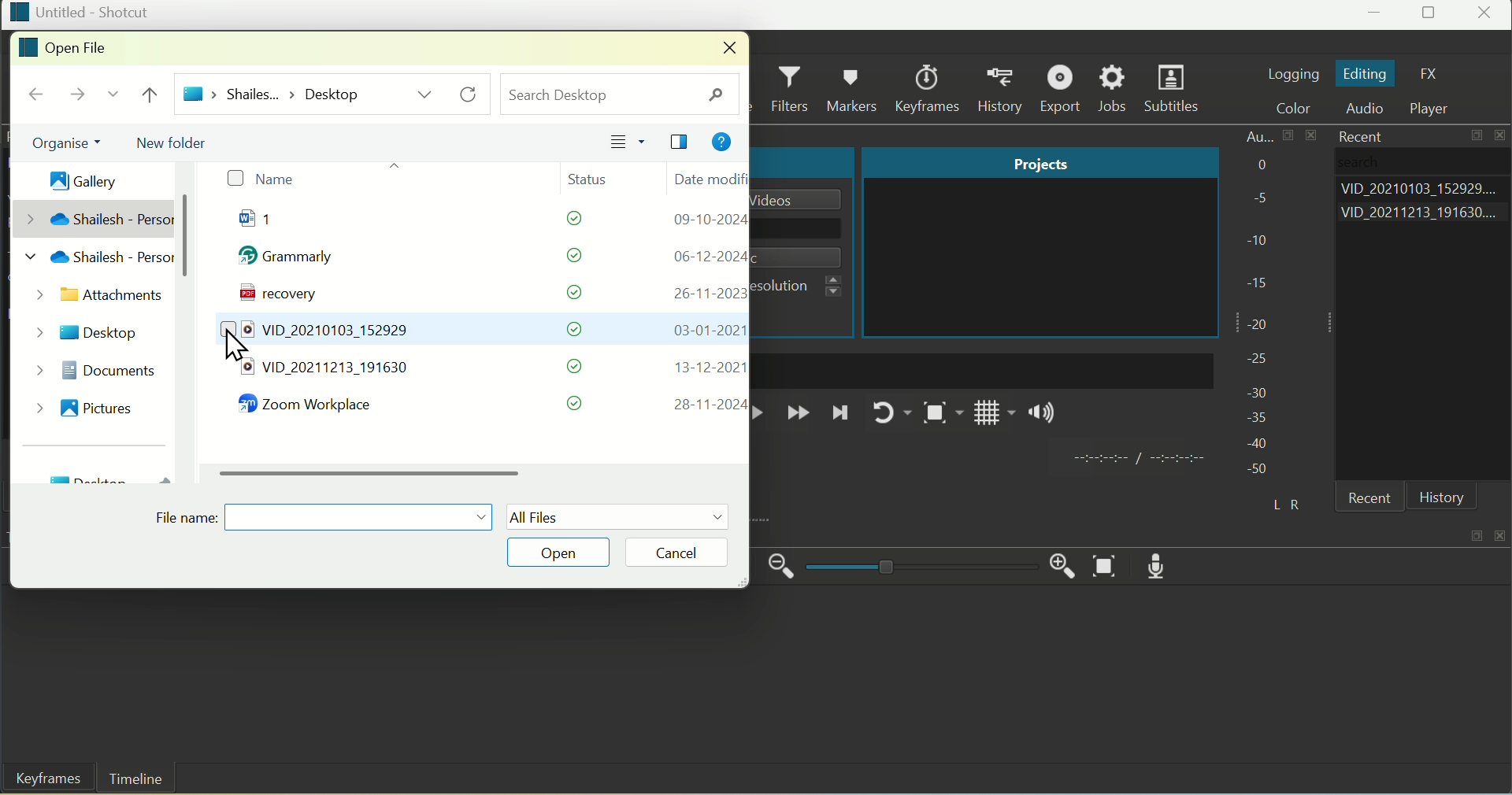  What do you see at coordinates (177, 140) in the screenshot?
I see `New Folder` at bounding box center [177, 140].